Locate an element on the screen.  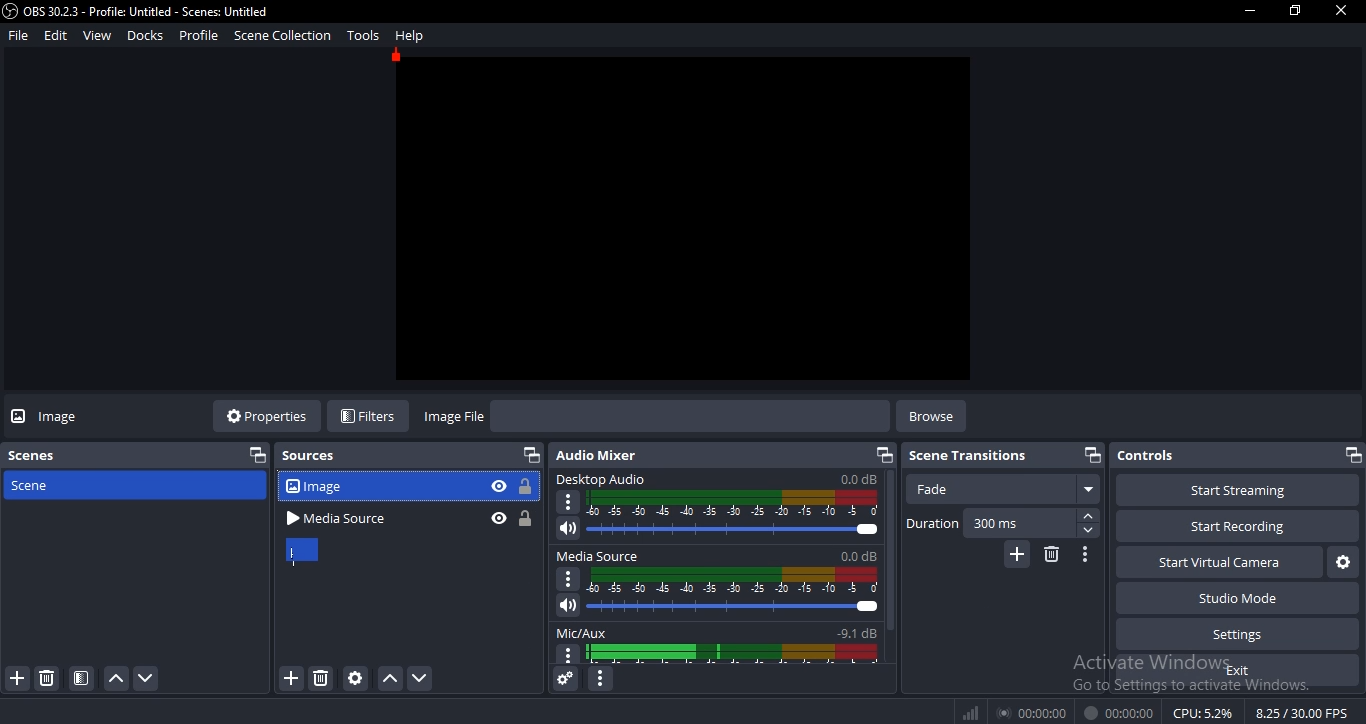
volume slider is located at coordinates (713, 529).